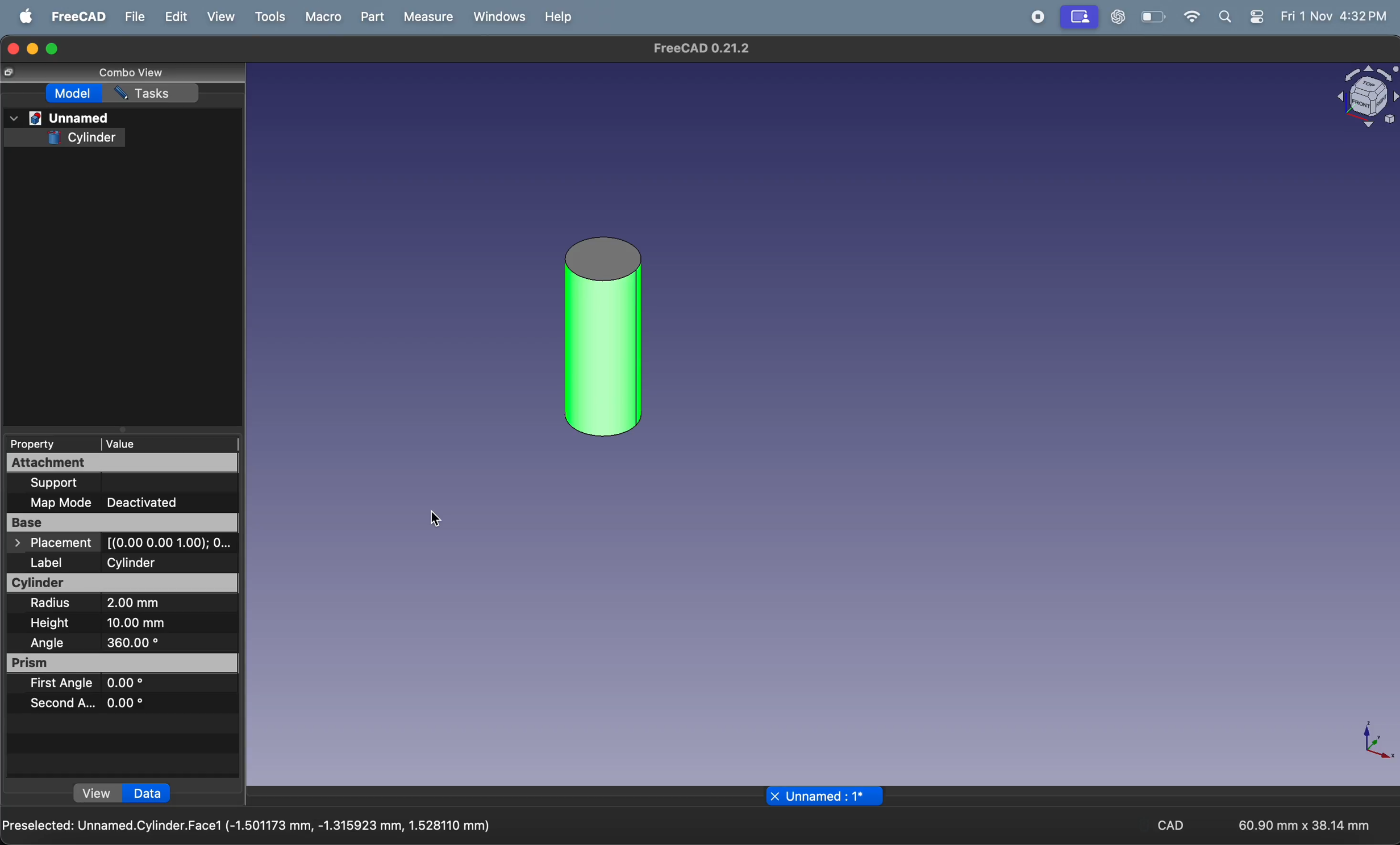  Describe the element at coordinates (82, 138) in the screenshot. I see `cylinder` at that location.